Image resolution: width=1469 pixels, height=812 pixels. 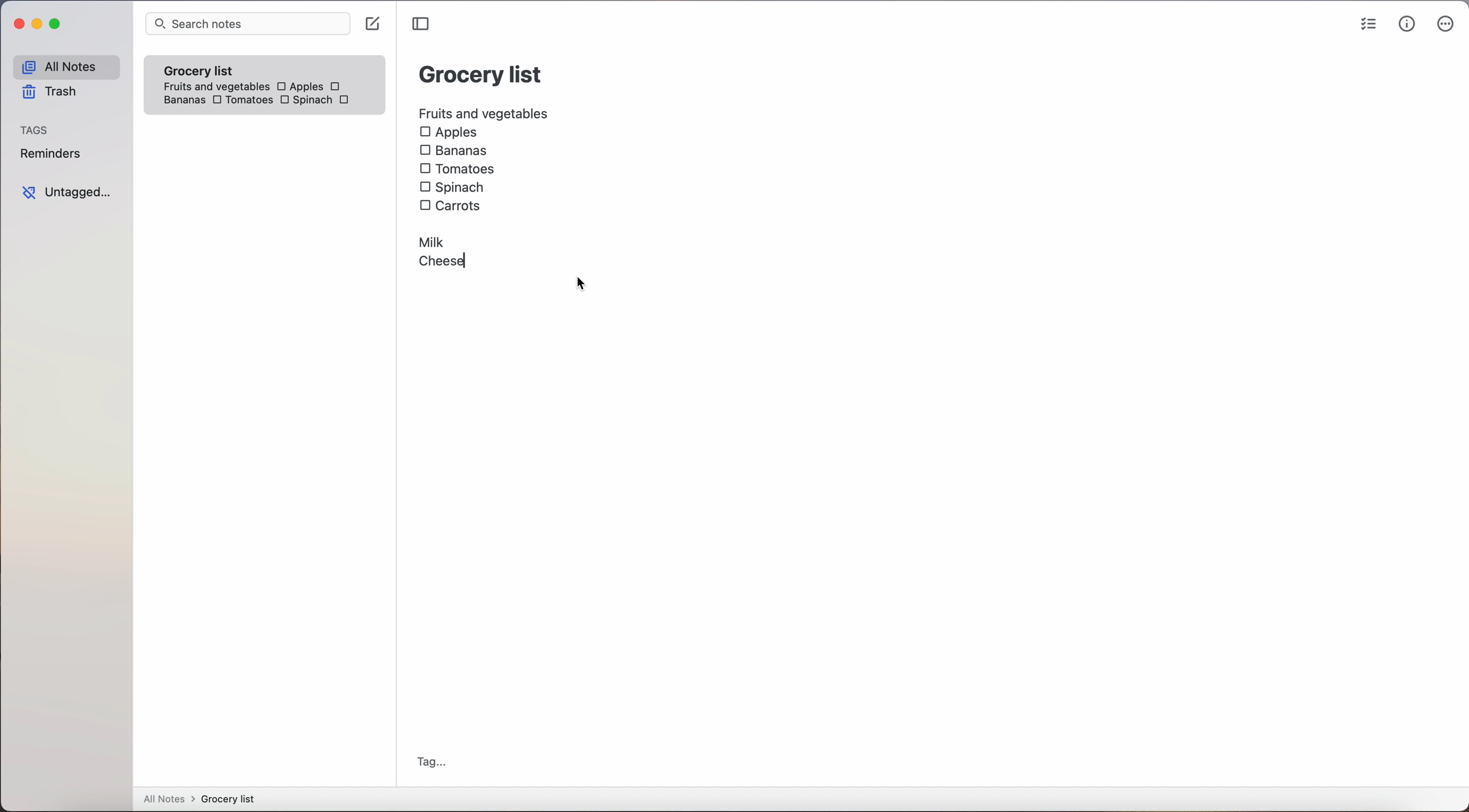 What do you see at coordinates (53, 155) in the screenshot?
I see `reminders` at bounding box center [53, 155].